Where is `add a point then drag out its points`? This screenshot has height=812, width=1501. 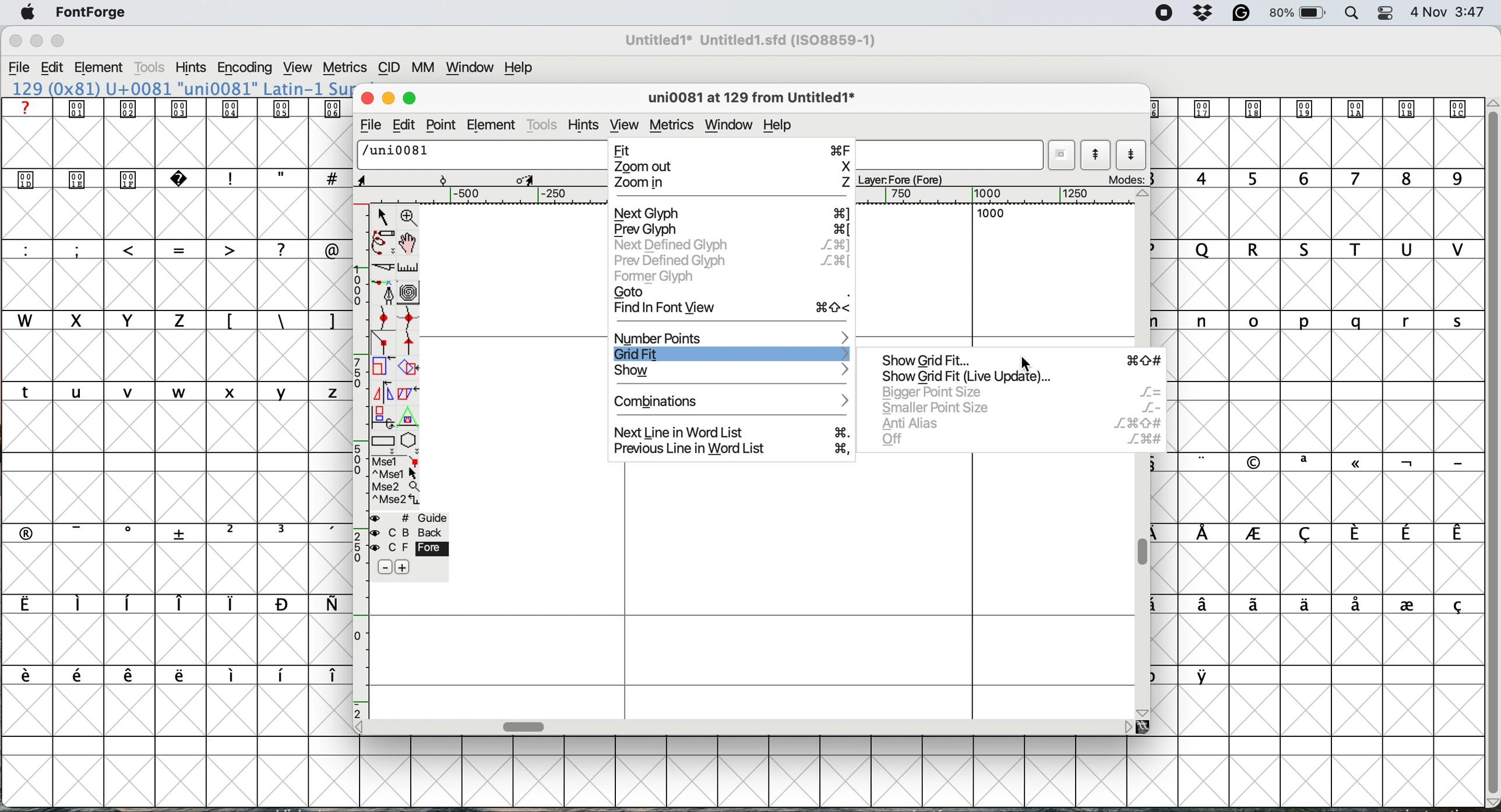 add a point then drag out its points is located at coordinates (385, 291).